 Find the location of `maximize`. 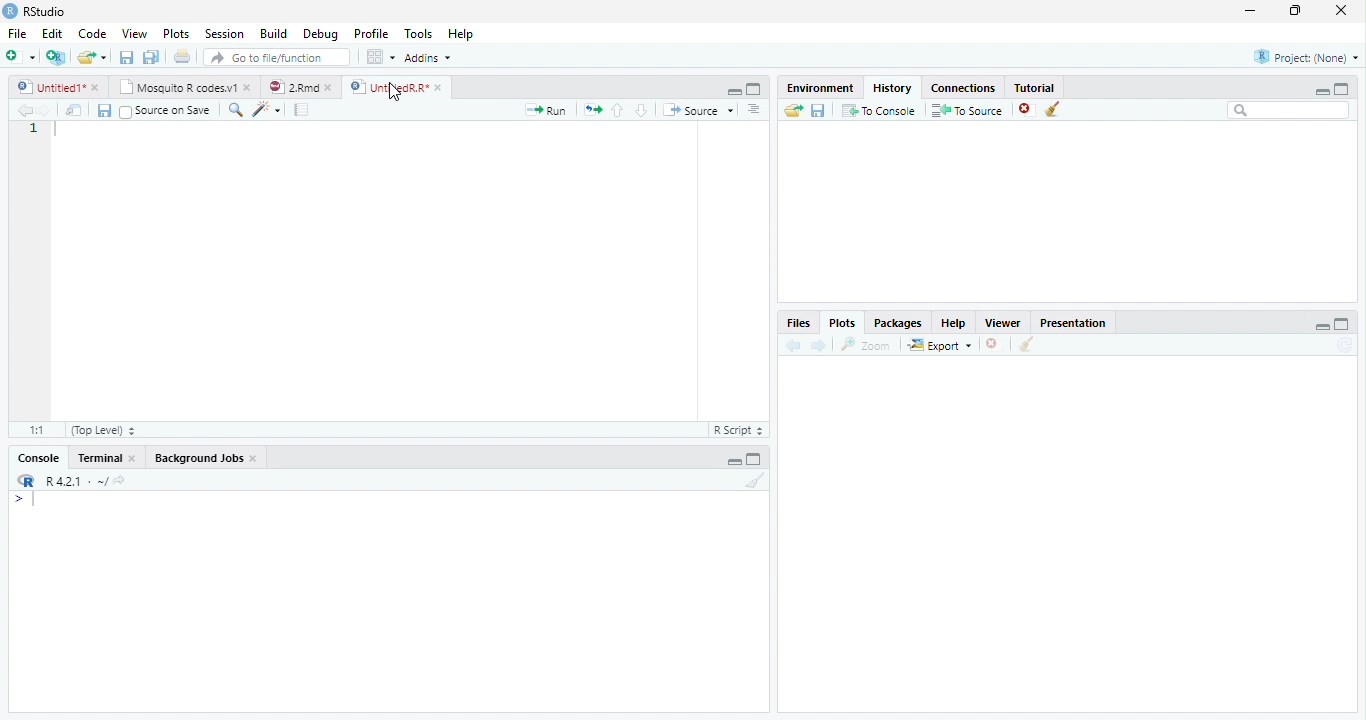

maximize is located at coordinates (1342, 89).